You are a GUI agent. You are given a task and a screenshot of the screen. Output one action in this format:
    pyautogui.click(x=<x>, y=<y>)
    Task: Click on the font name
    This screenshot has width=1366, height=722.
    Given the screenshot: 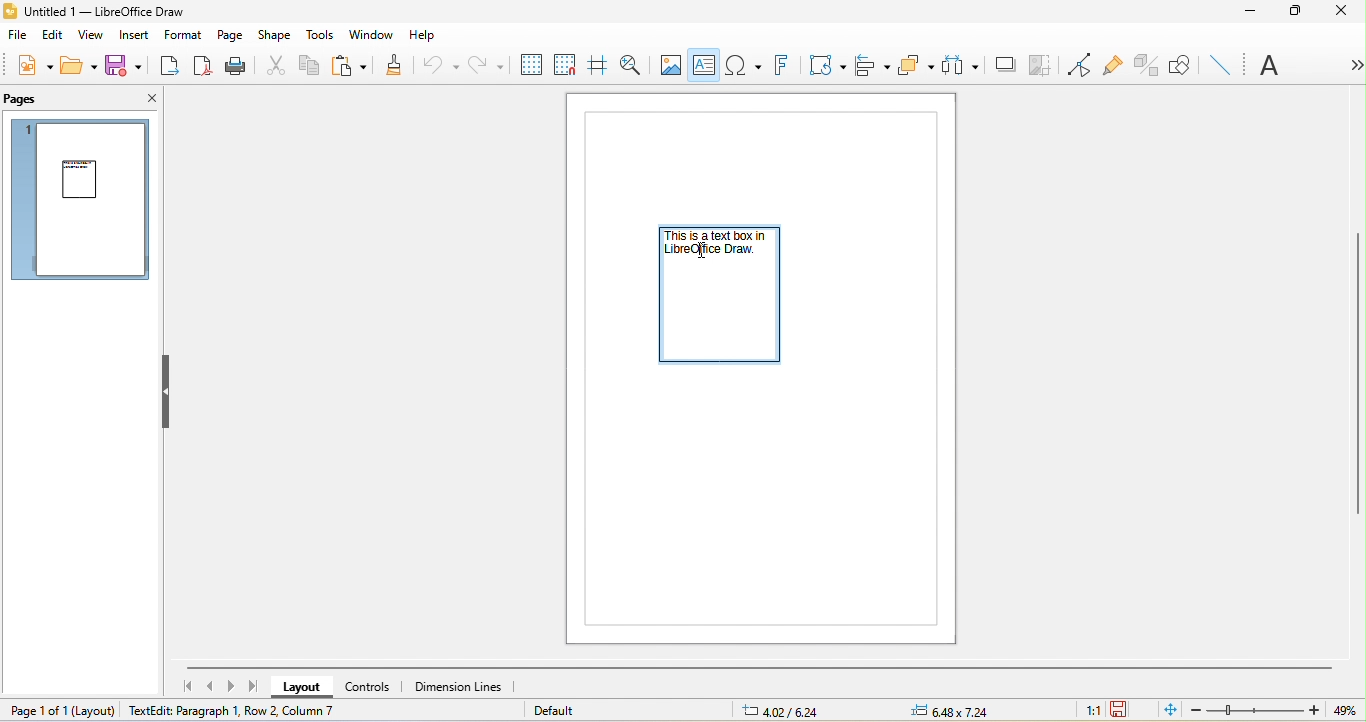 What is the action you would take?
    pyautogui.click(x=1262, y=63)
    